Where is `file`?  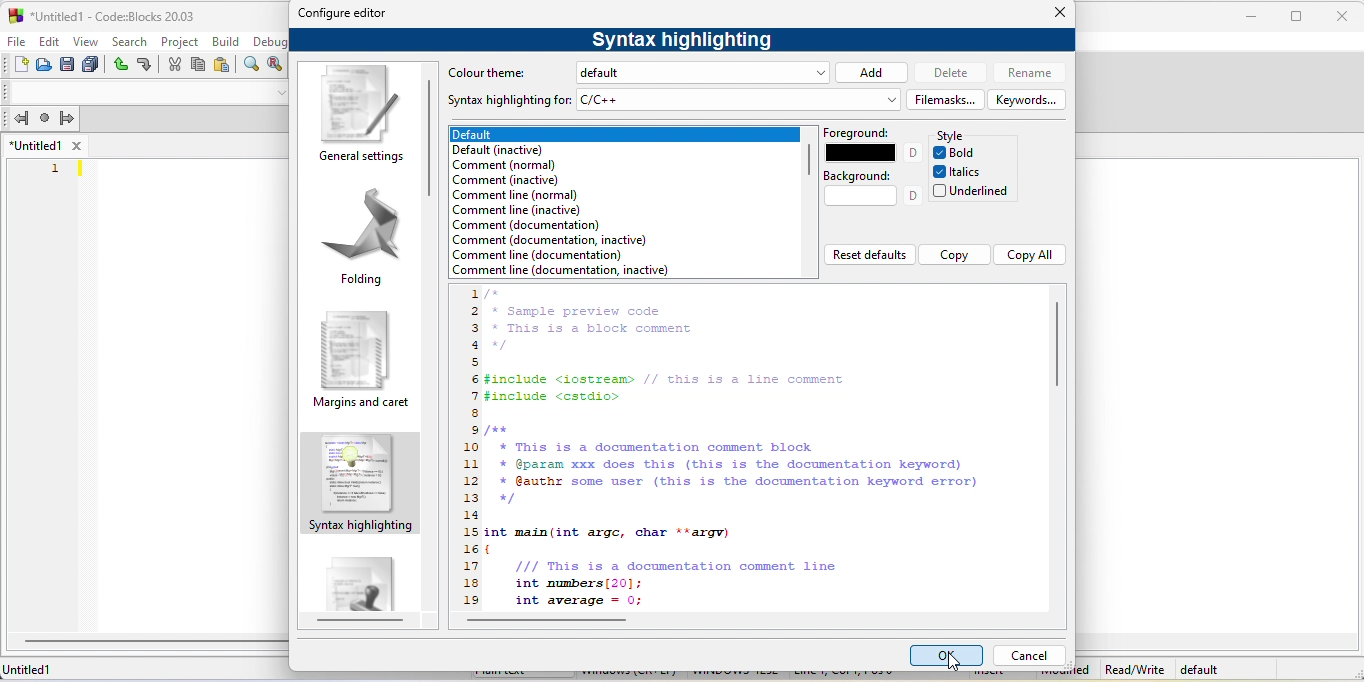
file is located at coordinates (14, 41).